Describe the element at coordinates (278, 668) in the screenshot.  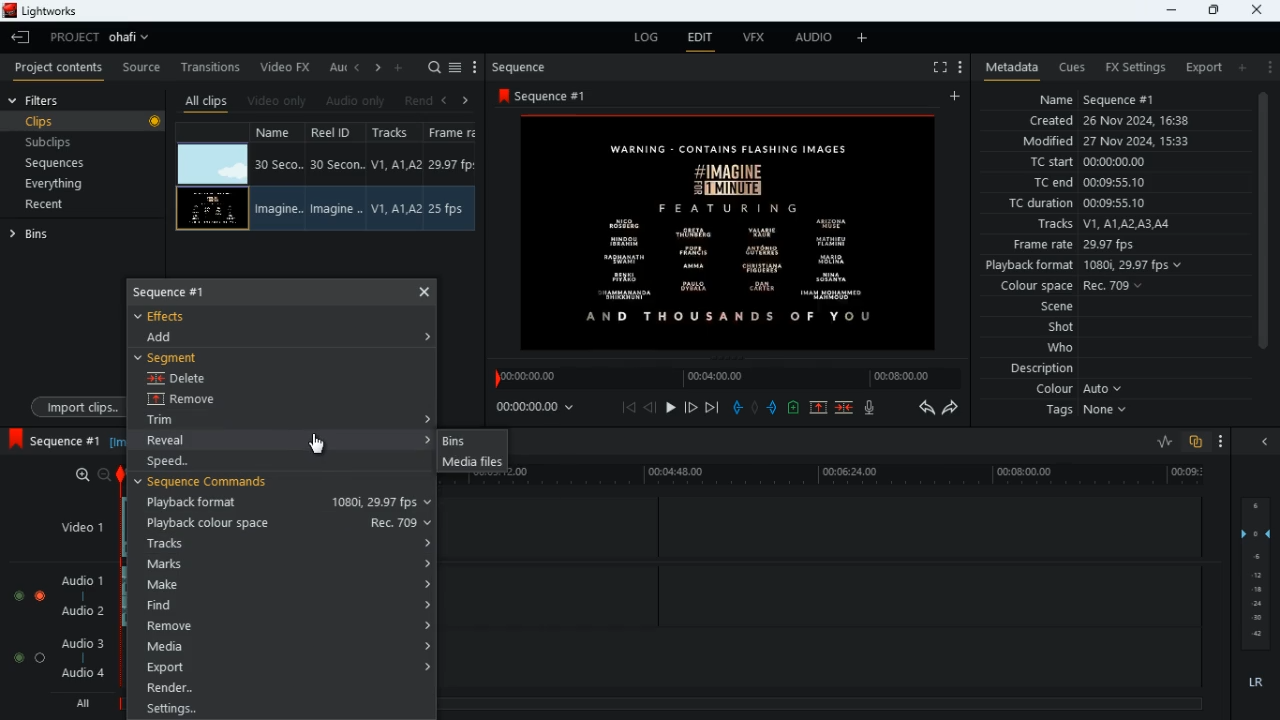
I see `export` at that location.